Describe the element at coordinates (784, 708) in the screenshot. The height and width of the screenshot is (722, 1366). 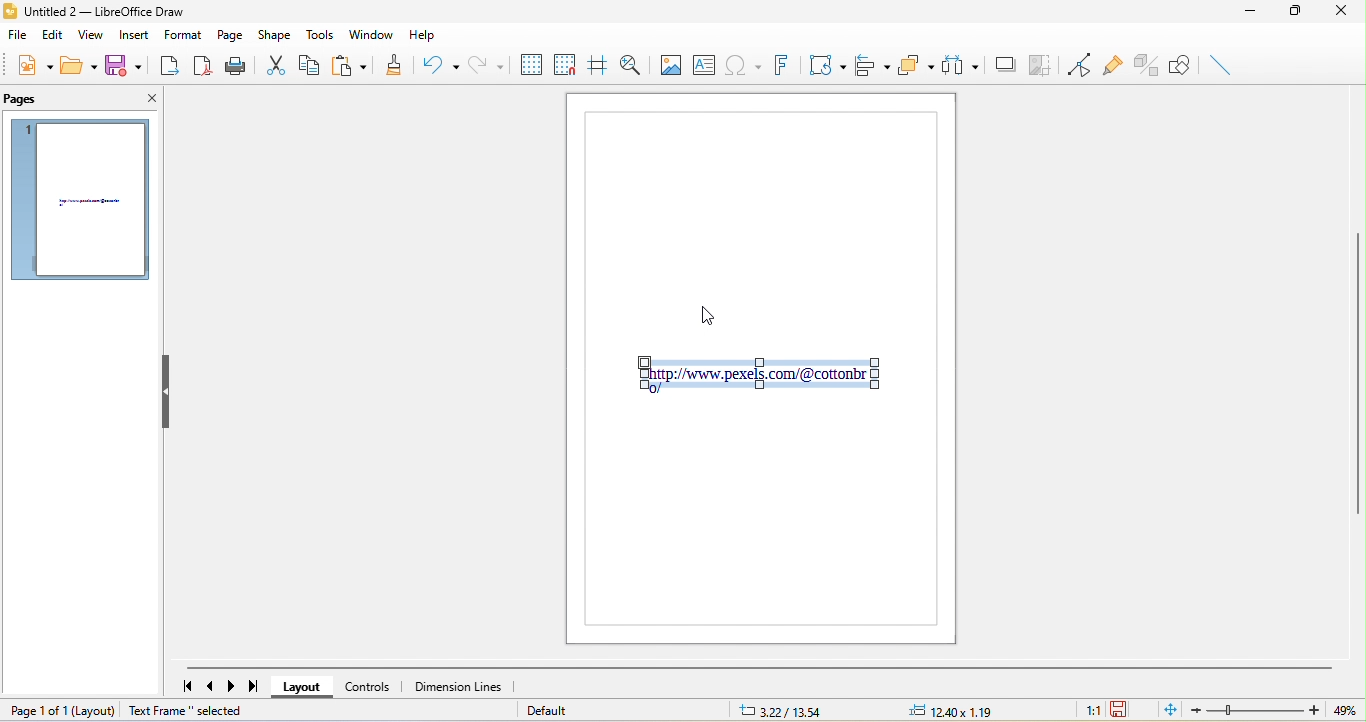
I see `3.22/13.54` at that location.